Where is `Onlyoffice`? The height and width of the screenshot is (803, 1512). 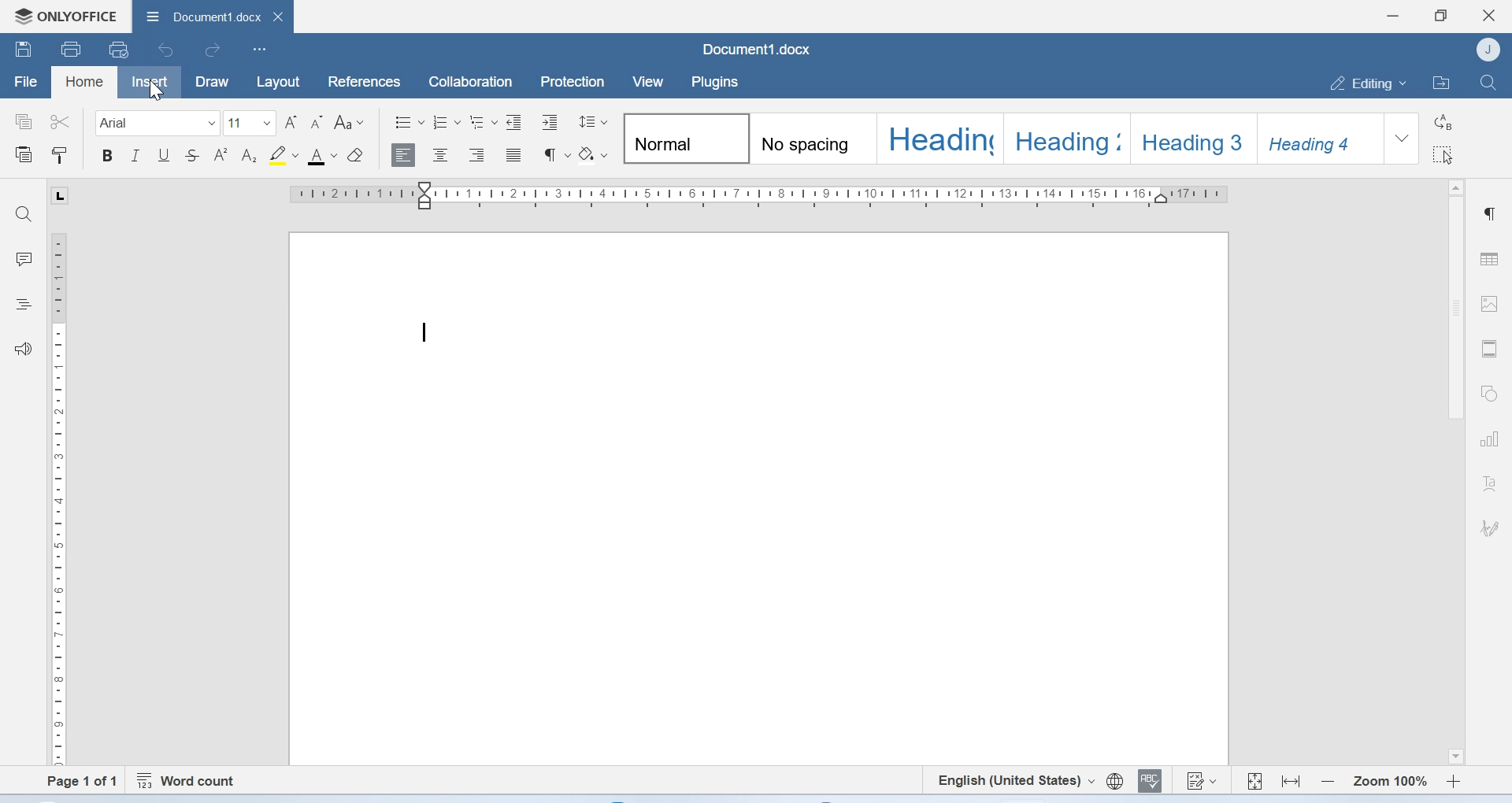 Onlyoffice is located at coordinates (65, 14).